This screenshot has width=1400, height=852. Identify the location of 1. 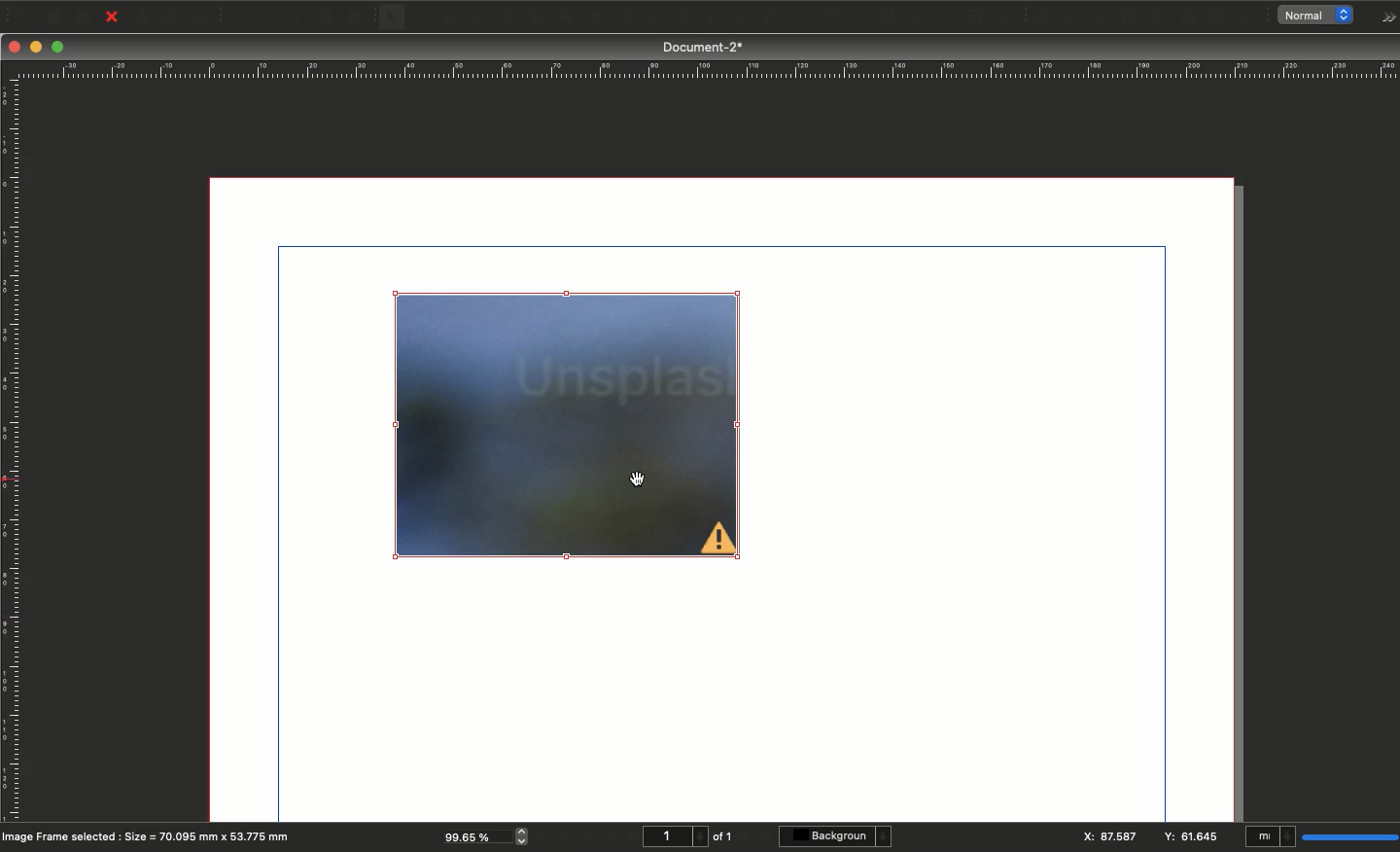
(673, 836).